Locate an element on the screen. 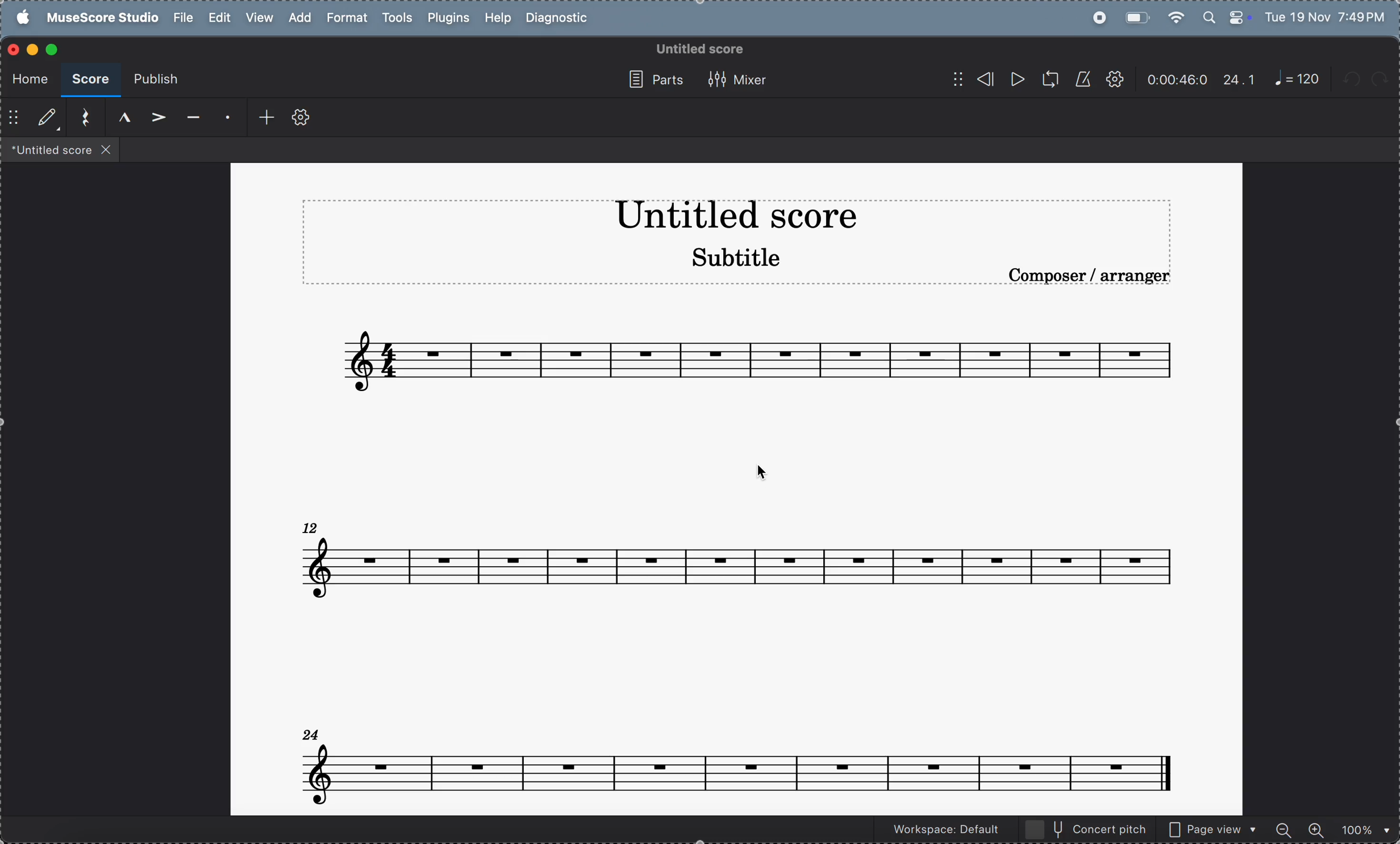 The image size is (1400, 844). plugins is located at coordinates (445, 19).